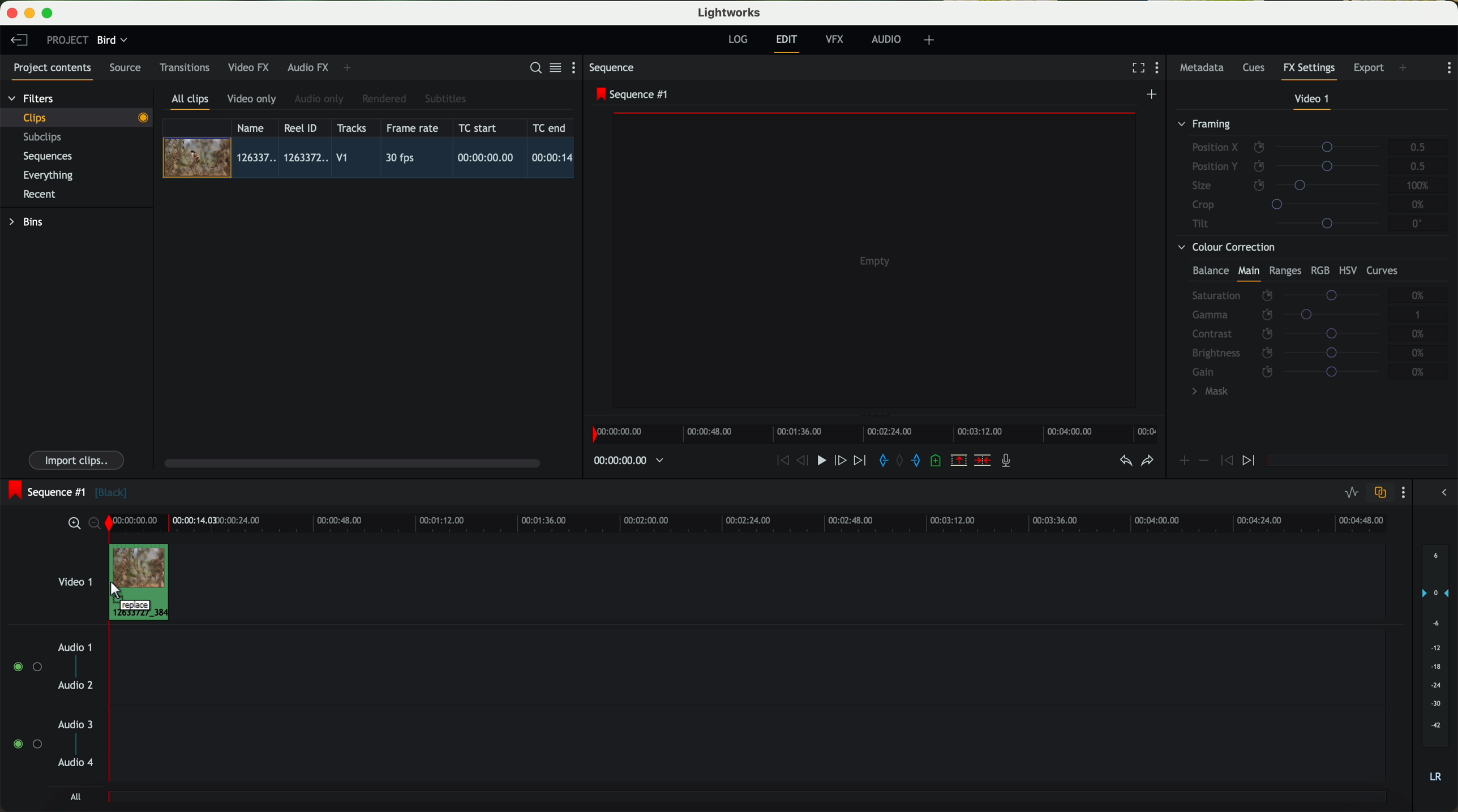  Describe the element at coordinates (1225, 247) in the screenshot. I see `colour correction` at that location.